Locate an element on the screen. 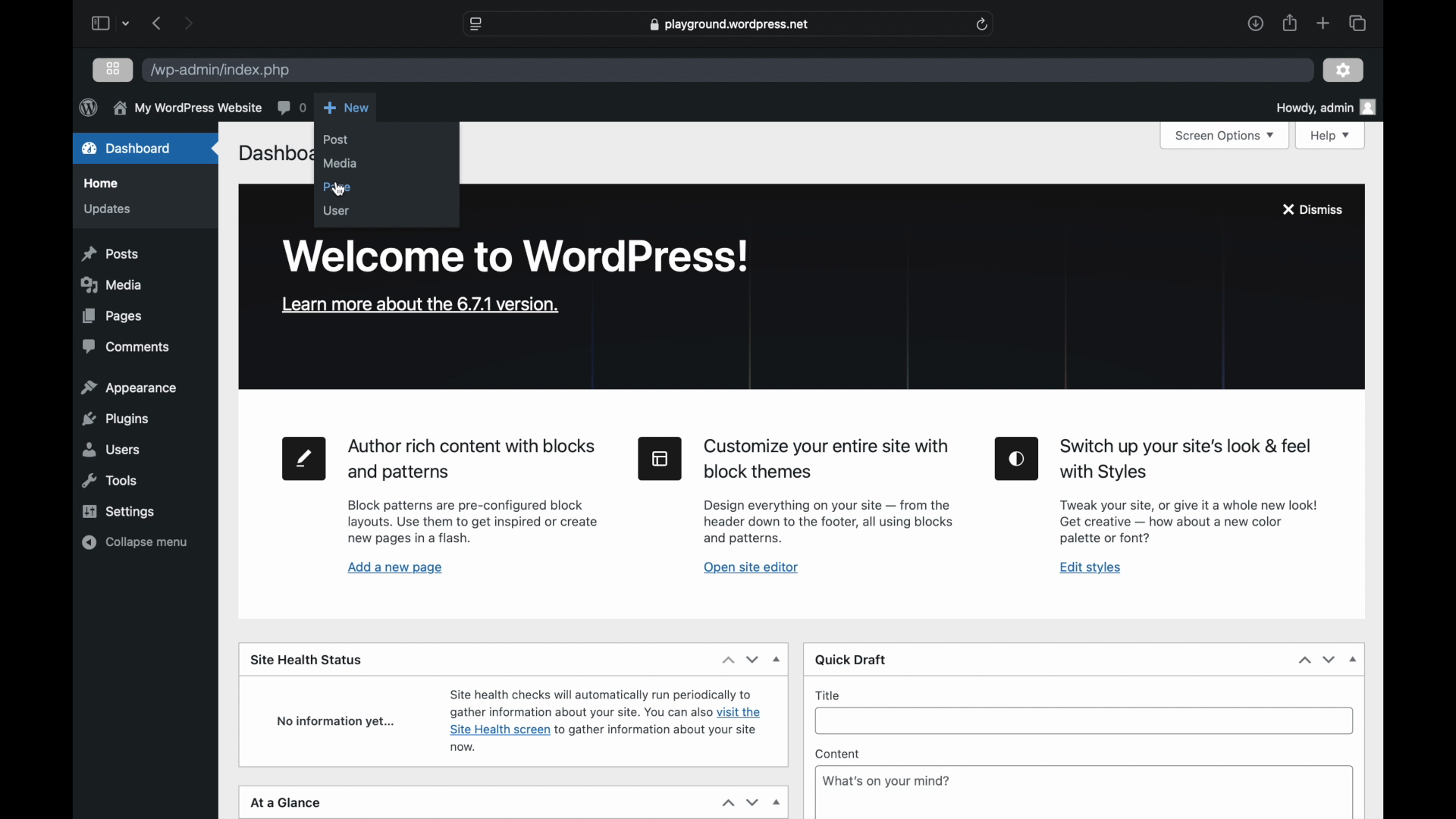 The image size is (1456, 819). screen options is located at coordinates (1225, 136).